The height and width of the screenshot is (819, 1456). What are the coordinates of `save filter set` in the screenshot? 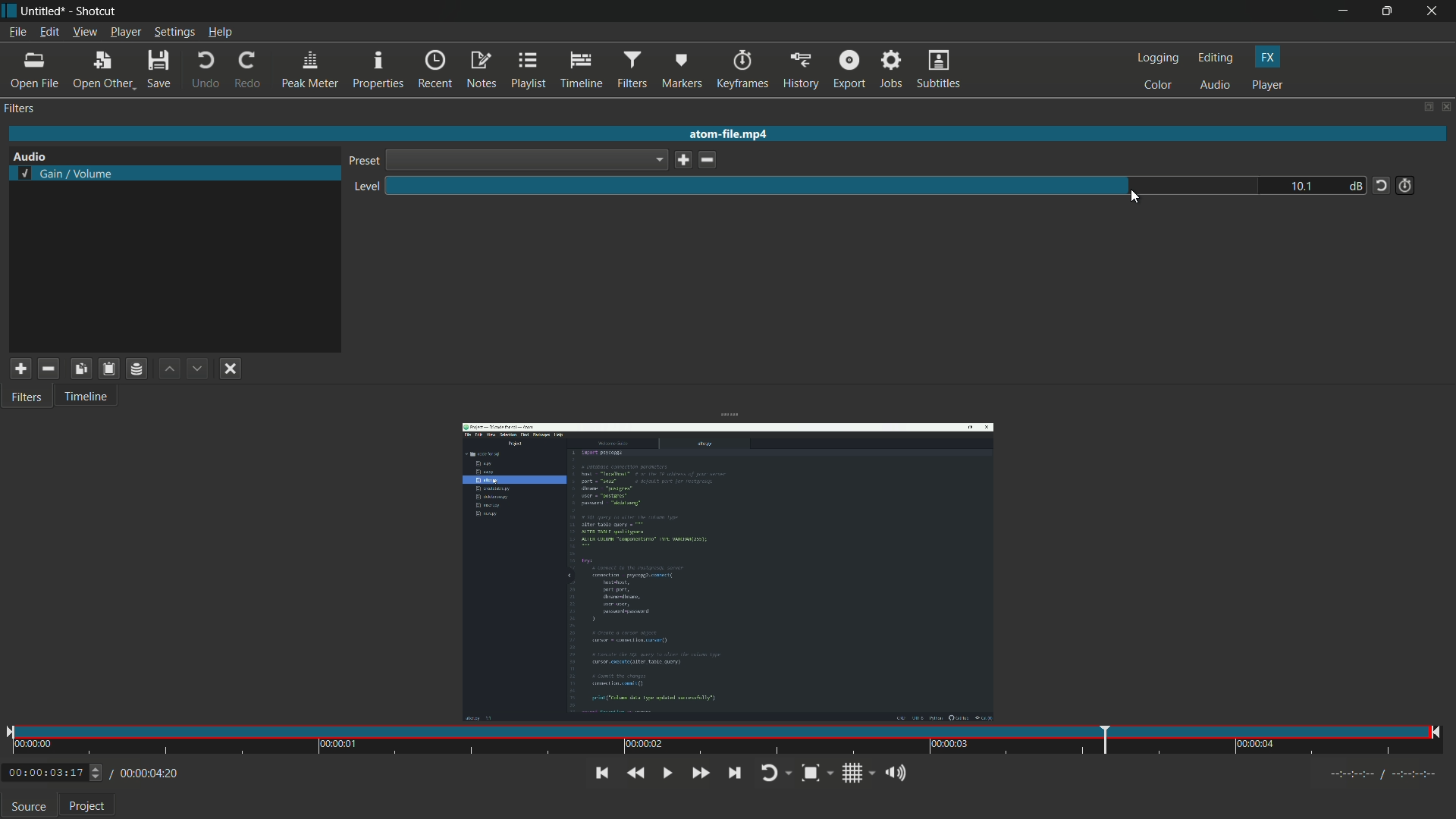 It's located at (138, 368).